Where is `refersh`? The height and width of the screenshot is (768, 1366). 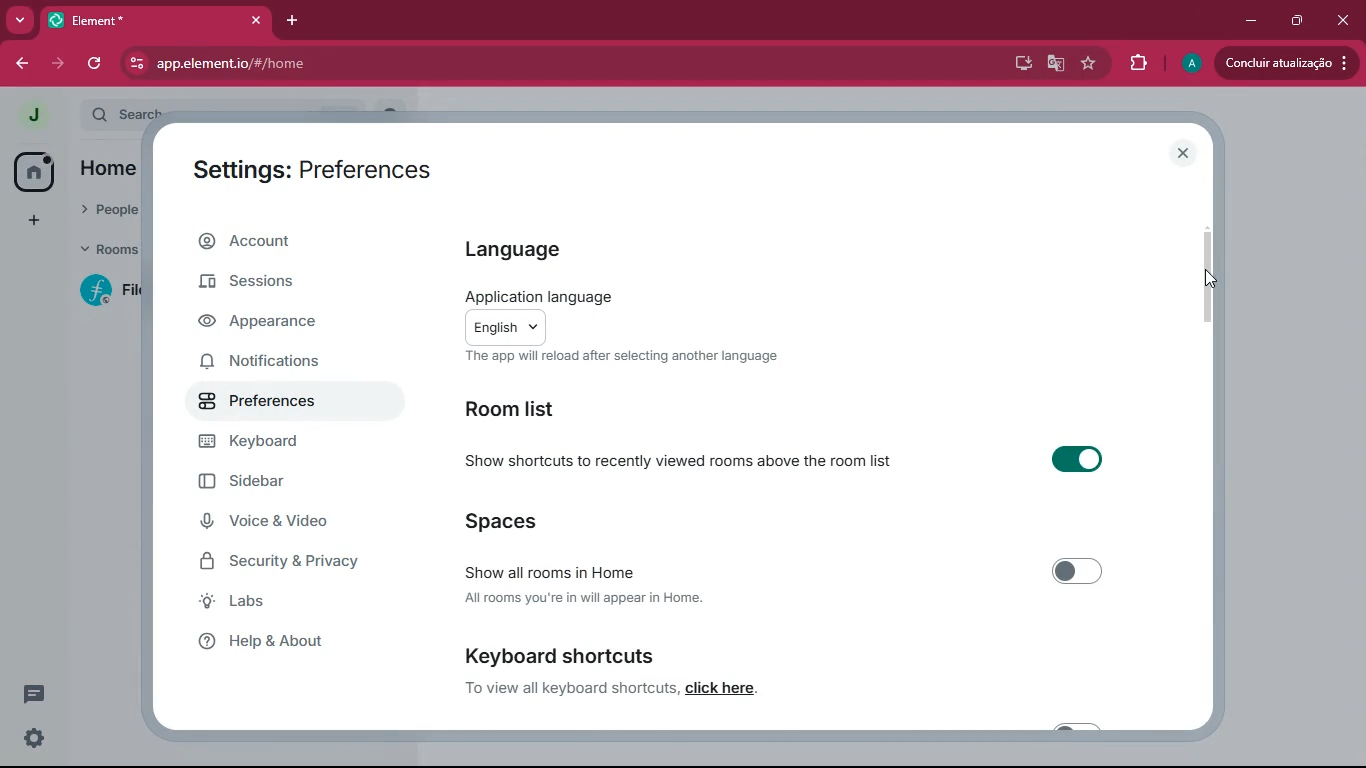 refersh is located at coordinates (96, 63).